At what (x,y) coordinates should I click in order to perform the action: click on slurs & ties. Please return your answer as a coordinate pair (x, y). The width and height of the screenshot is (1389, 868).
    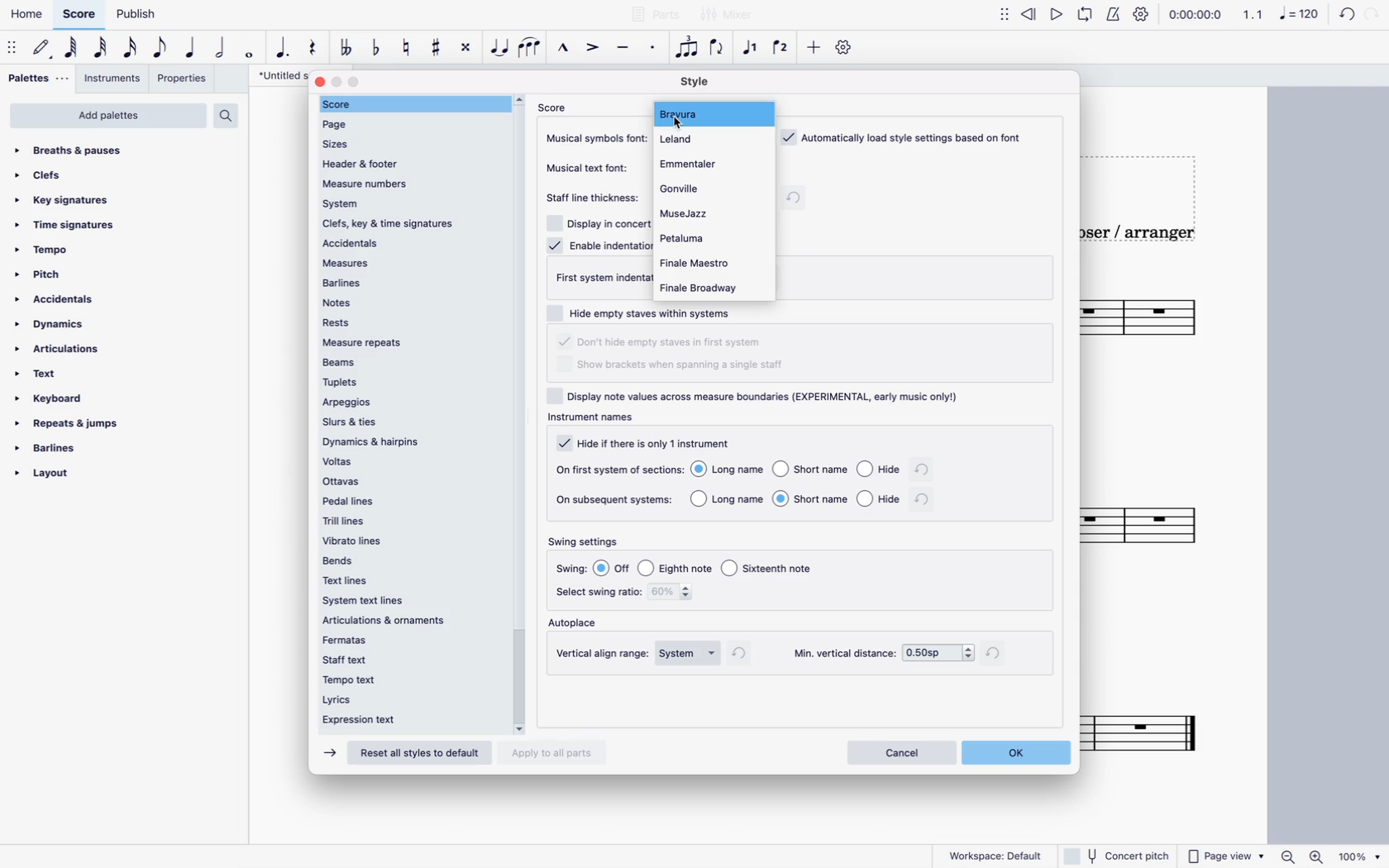
    Looking at the image, I should click on (411, 421).